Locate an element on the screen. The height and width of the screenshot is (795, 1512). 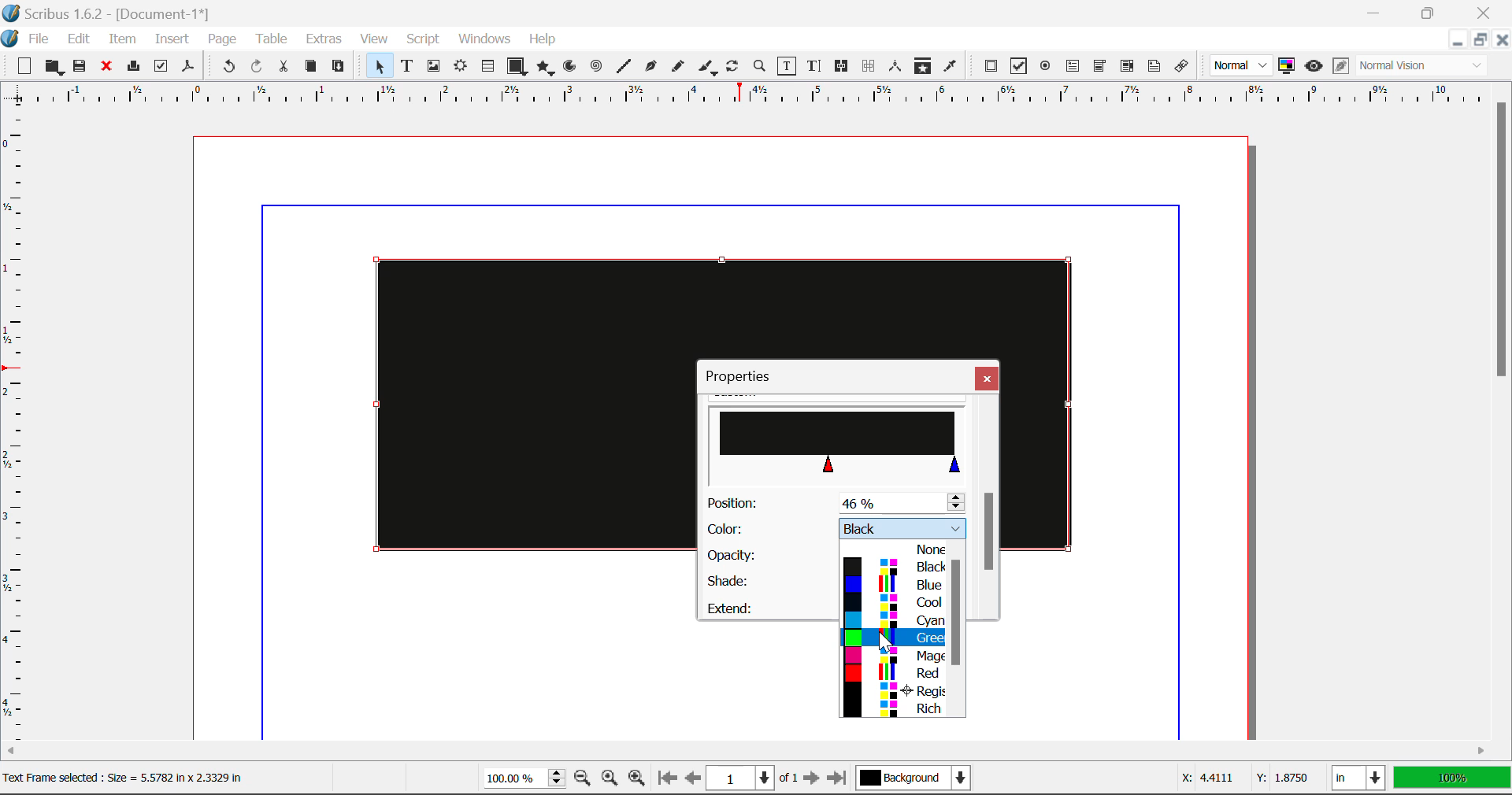
Discard is located at coordinates (106, 68).